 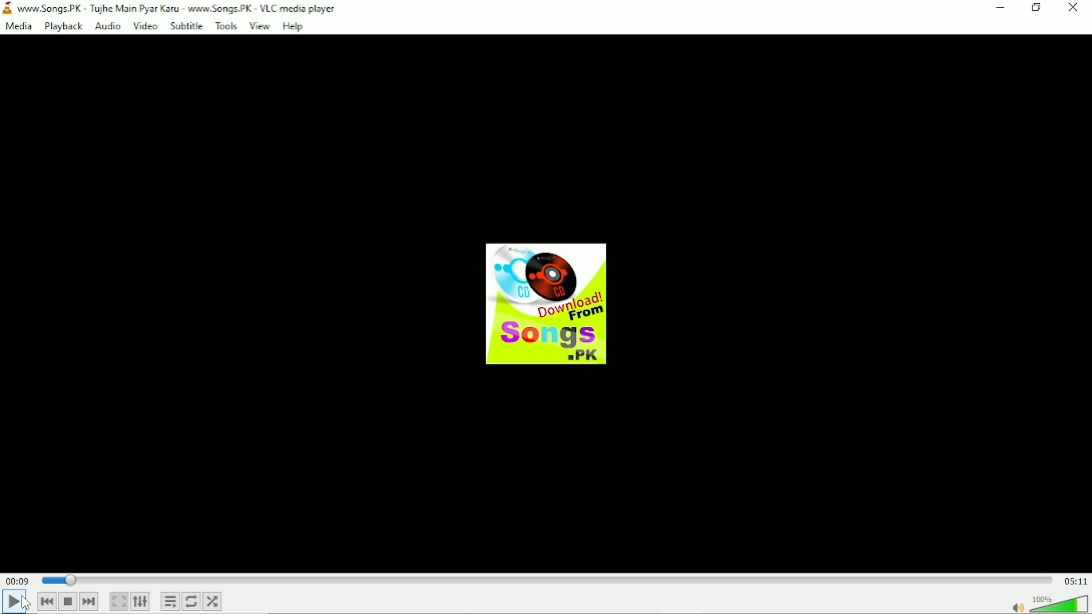 I want to click on www.Songs PK - Tushe Man Pyar Karu - www. Songs PK - VLC med player, so click(x=194, y=8).